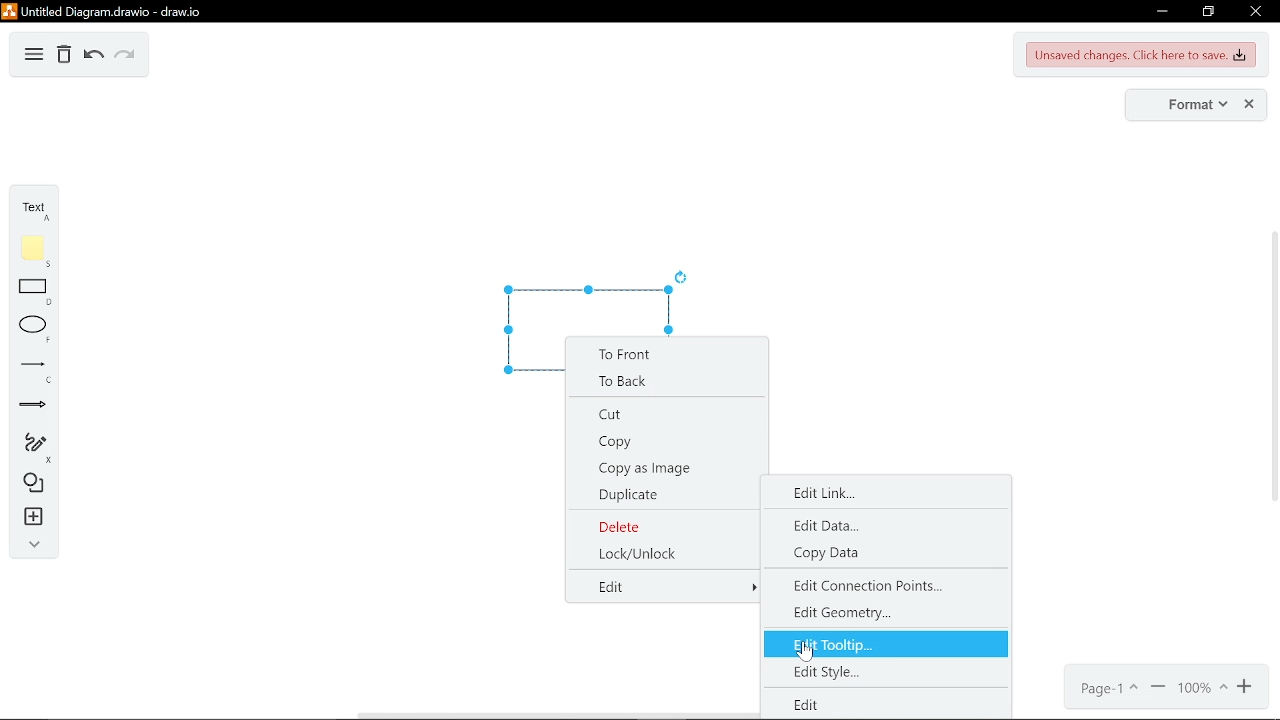 This screenshot has width=1280, height=720. Describe the element at coordinates (1158, 688) in the screenshot. I see `zoom out` at that location.